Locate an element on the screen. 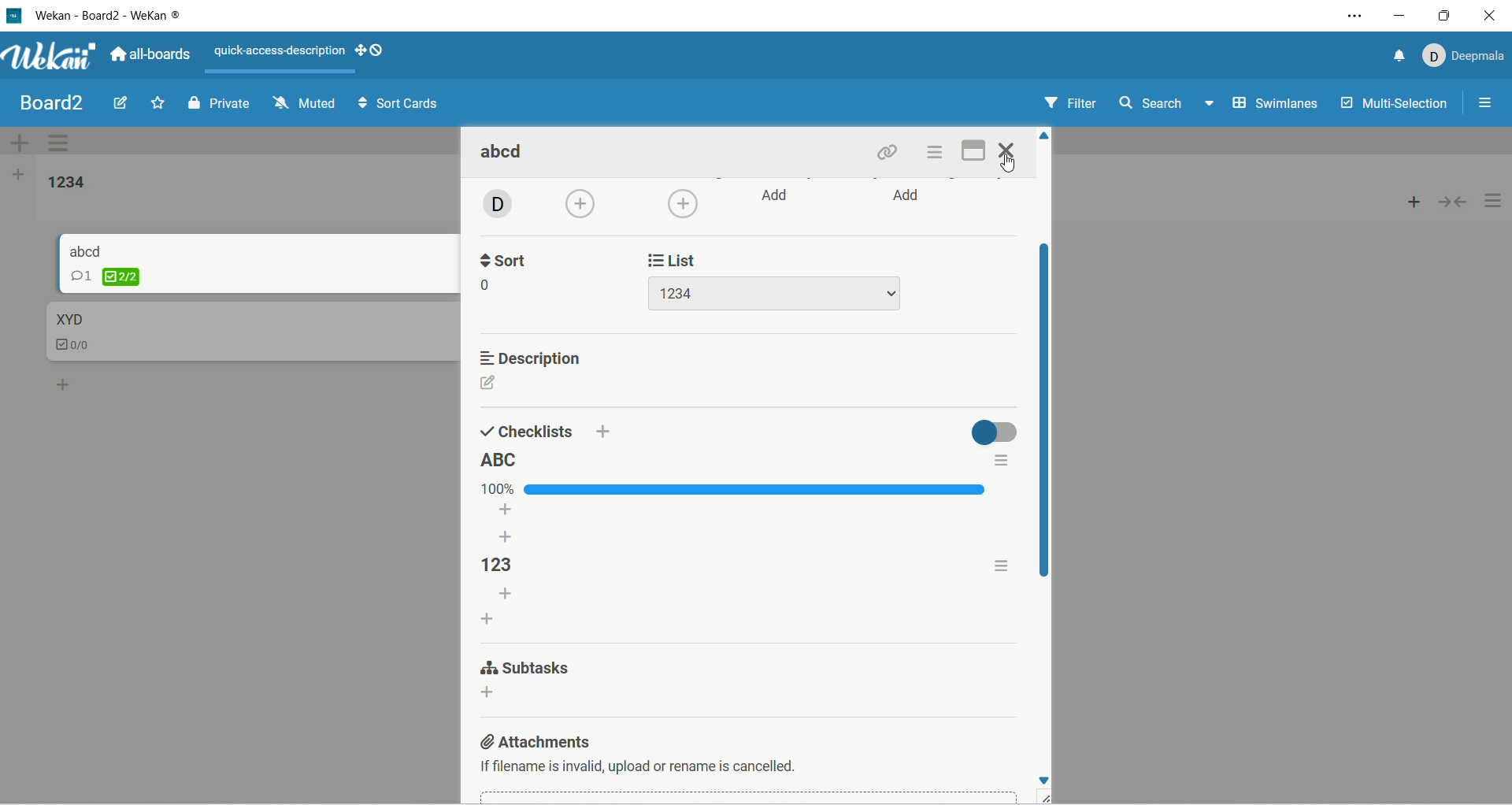 This screenshot has height=805, width=1512. list is located at coordinates (677, 258).